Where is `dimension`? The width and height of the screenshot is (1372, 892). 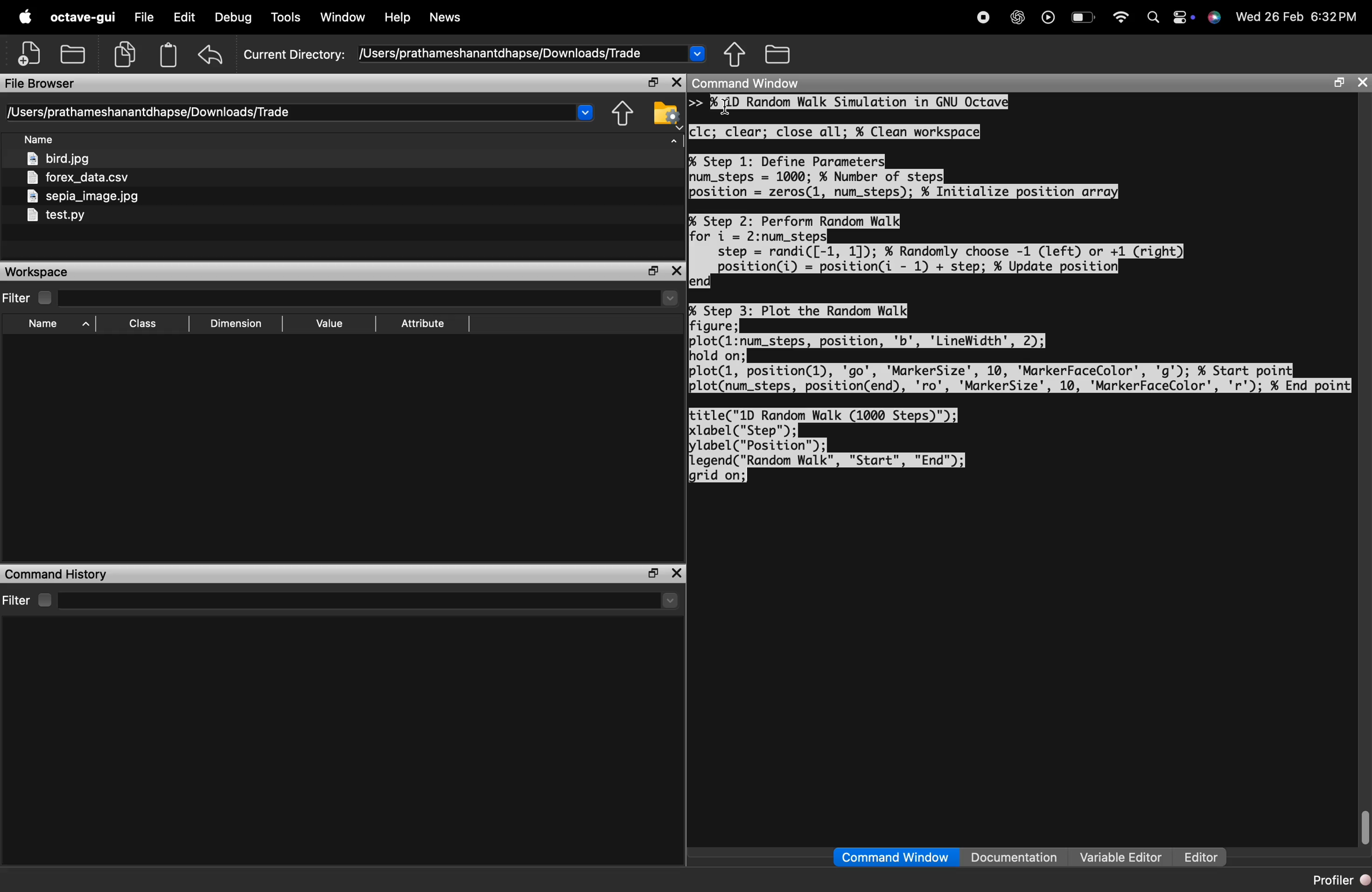
dimension is located at coordinates (240, 324).